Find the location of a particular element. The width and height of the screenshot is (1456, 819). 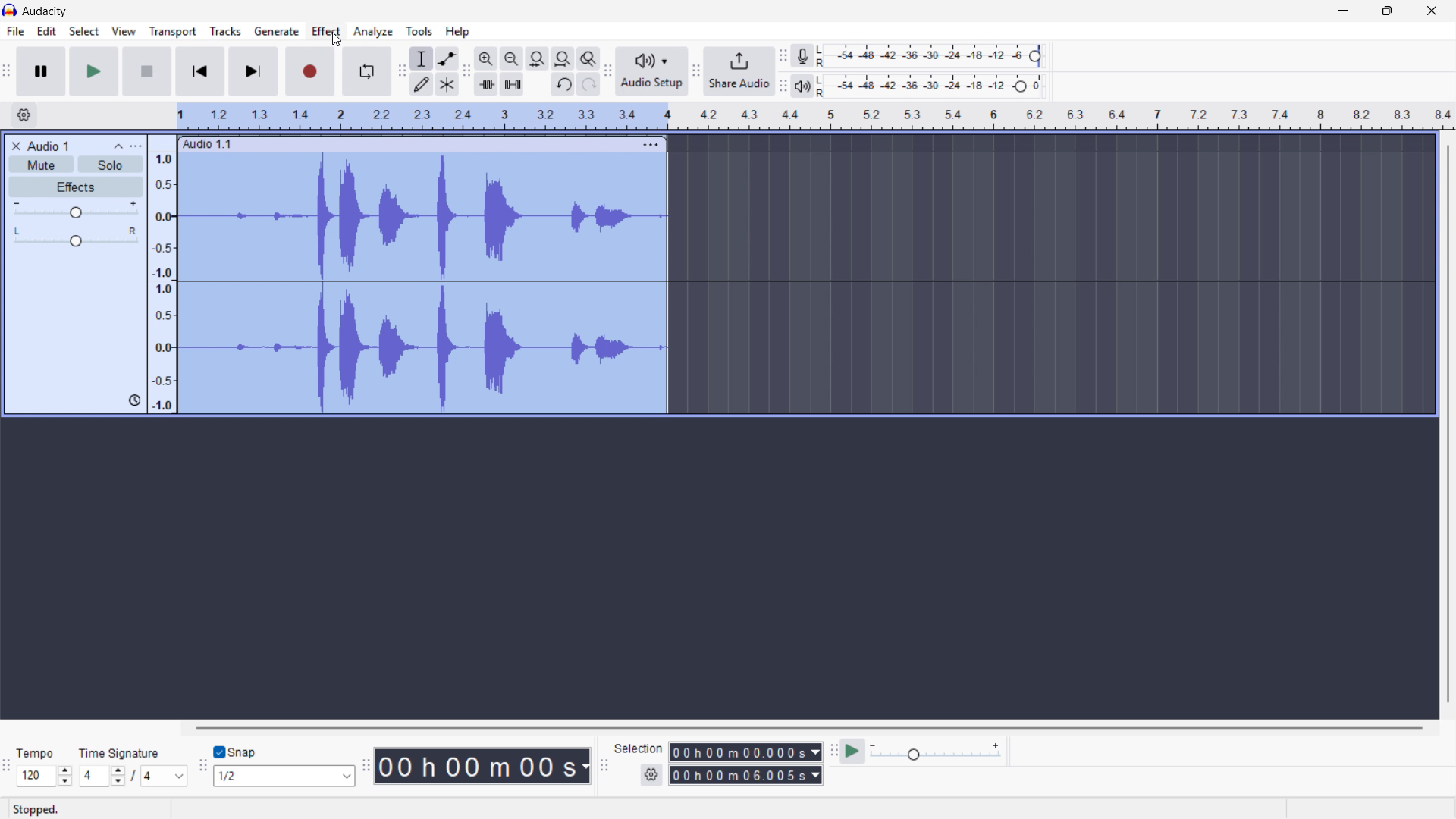

Snapping toolbar is located at coordinates (203, 767).